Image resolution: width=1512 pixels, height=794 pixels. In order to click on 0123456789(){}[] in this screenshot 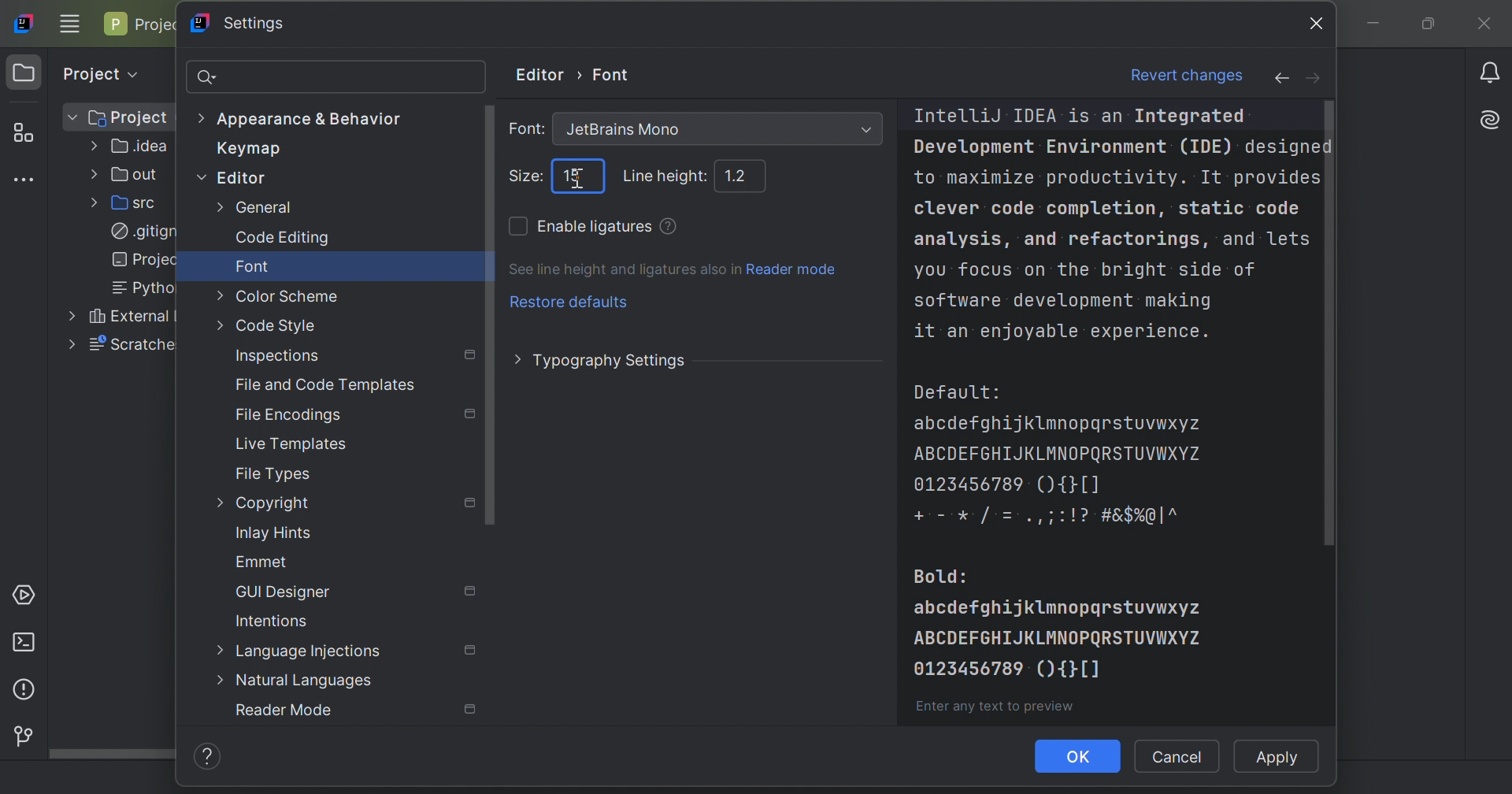, I will do `click(1011, 670)`.